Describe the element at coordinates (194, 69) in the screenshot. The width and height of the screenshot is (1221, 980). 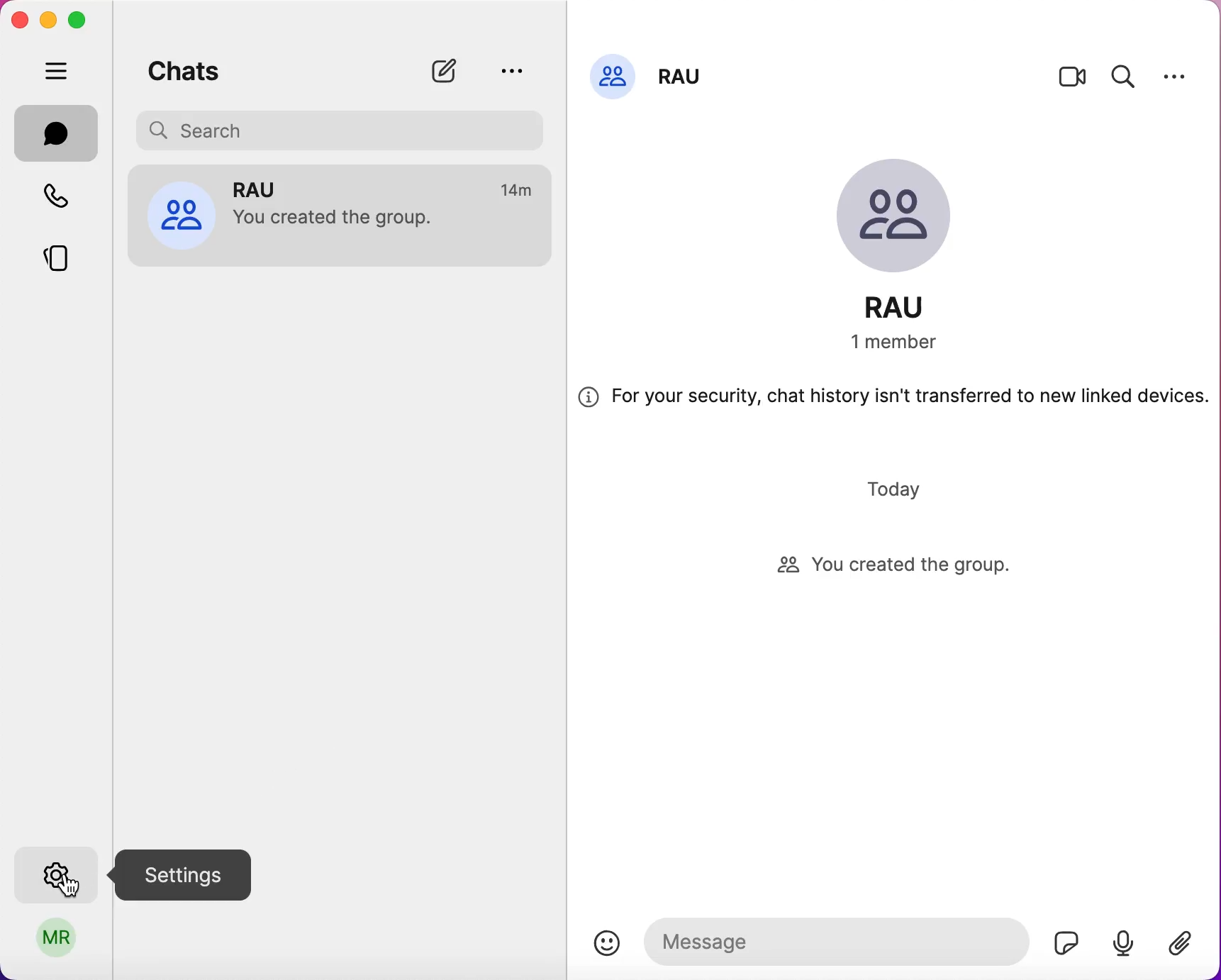
I see `chats` at that location.